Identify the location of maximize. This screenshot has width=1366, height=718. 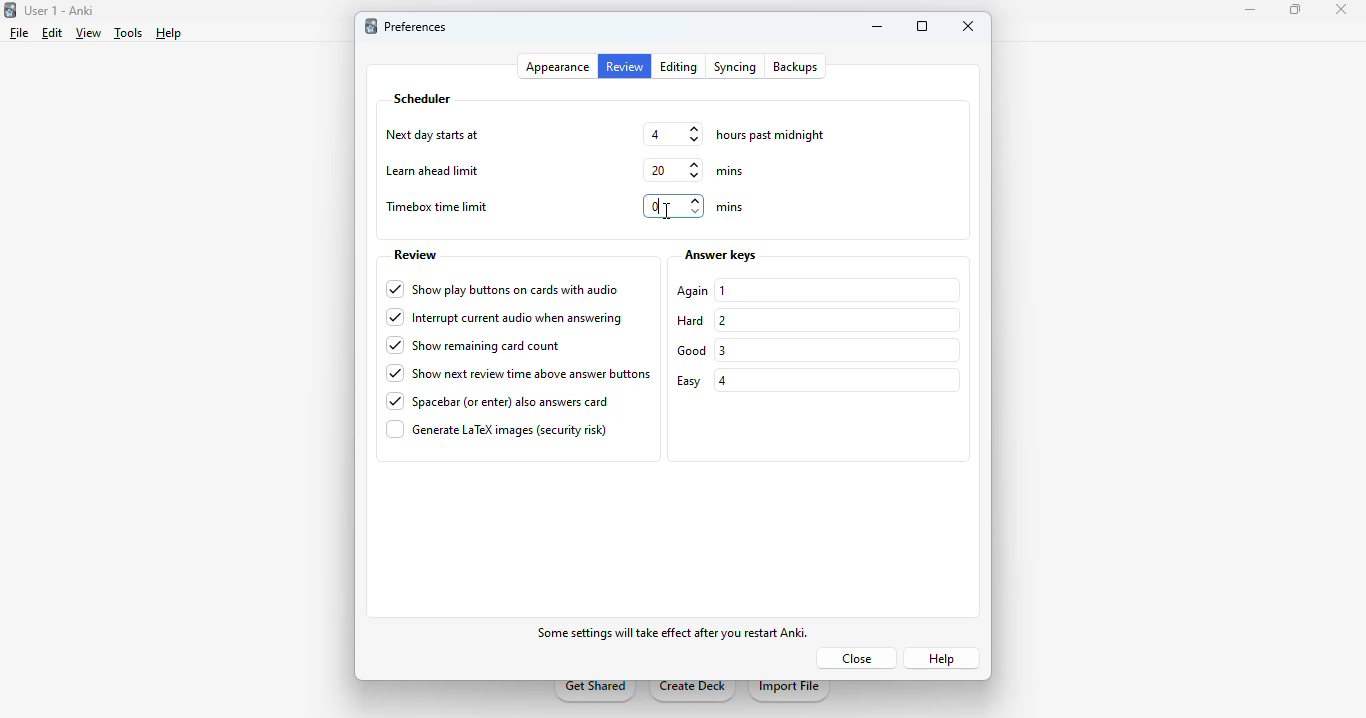
(1295, 10).